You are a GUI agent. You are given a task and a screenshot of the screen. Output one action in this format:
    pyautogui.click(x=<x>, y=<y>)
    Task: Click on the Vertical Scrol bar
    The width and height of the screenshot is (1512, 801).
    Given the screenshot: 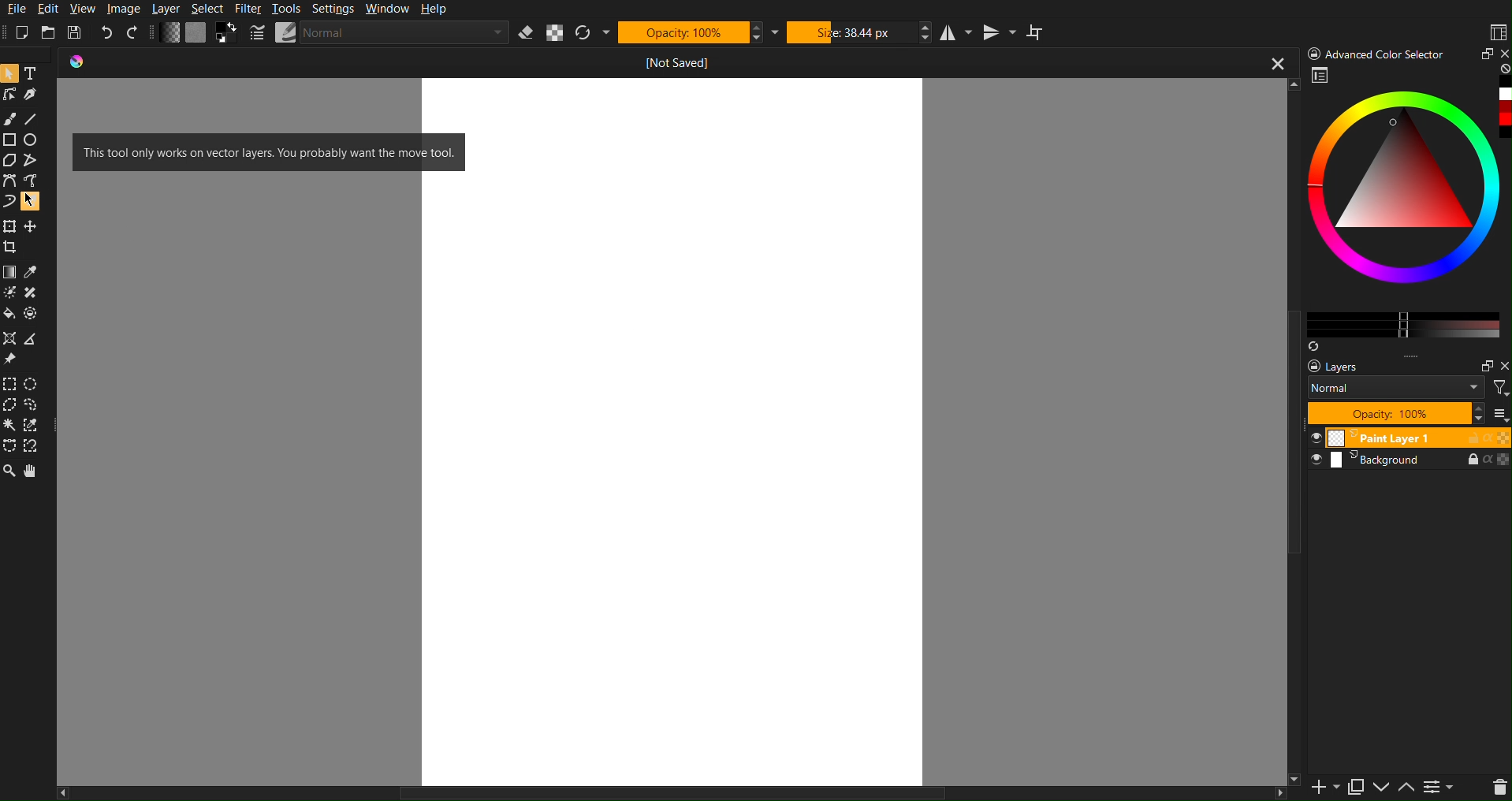 What is the action you would take?
    pyautogui.click(x=1285, y=449)
    